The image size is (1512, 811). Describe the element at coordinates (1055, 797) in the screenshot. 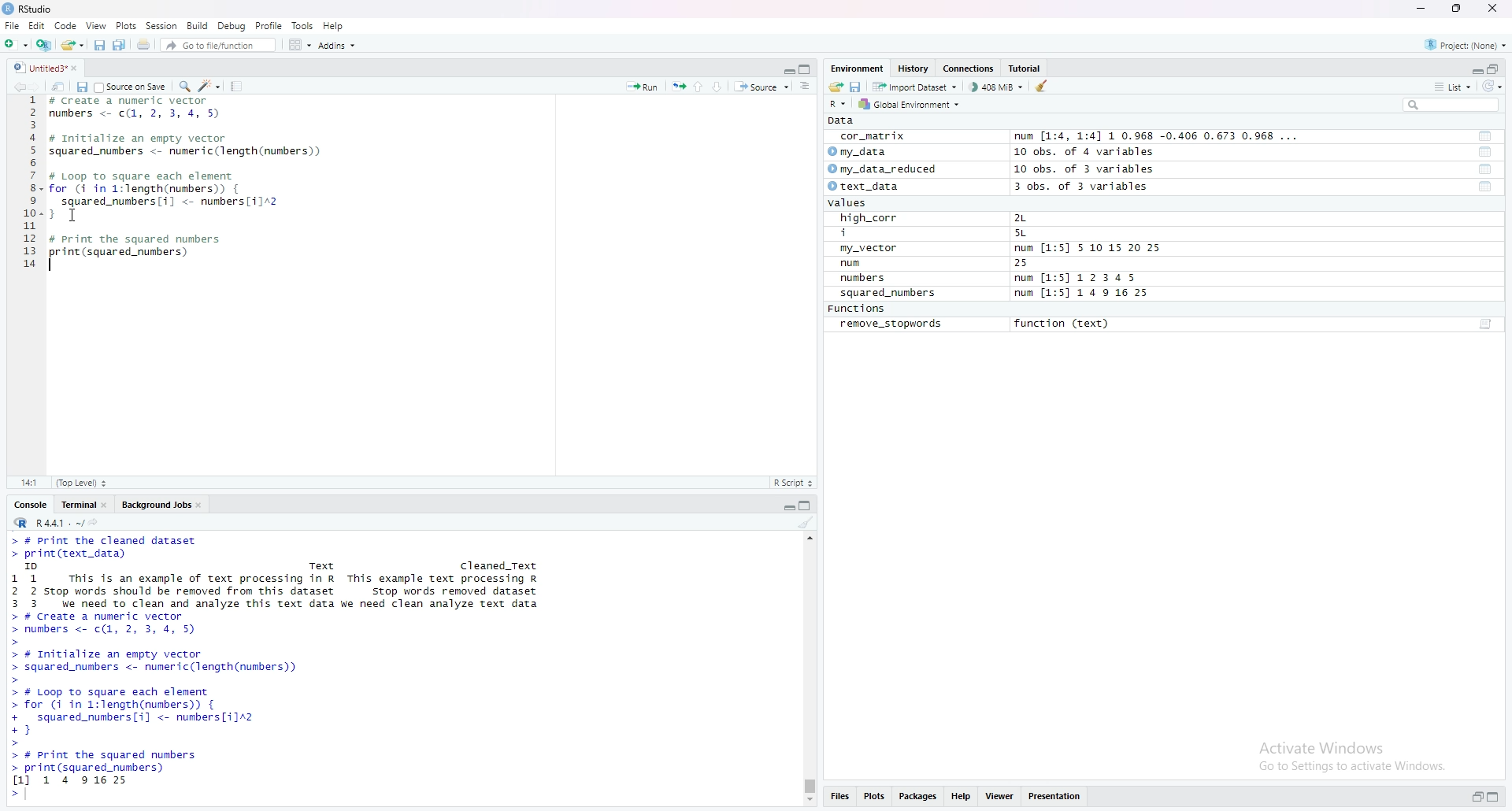

I see `Presentation` at that location.